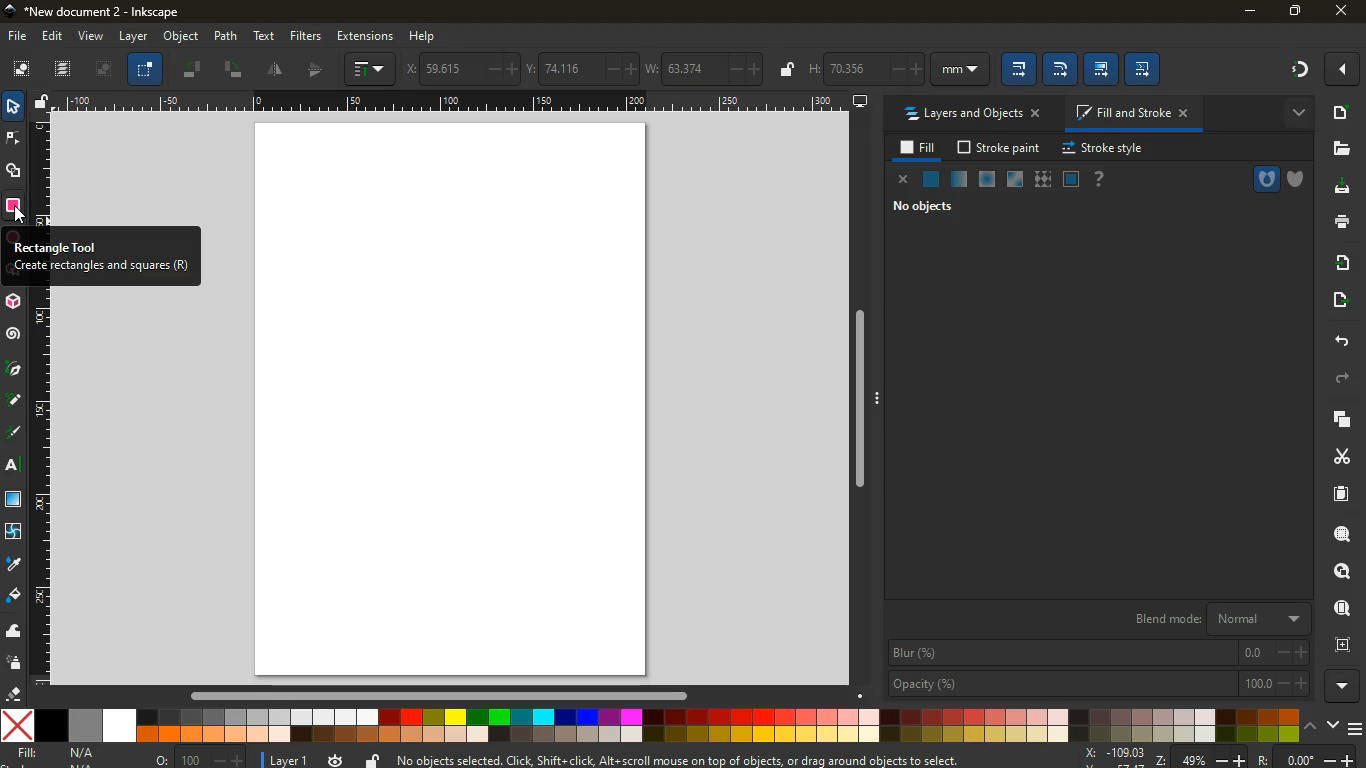 This screenshot has height=768, width=1366. Describe the element at coordinates (1131, 113) in the screenshot. I see `fill and stroke` at that location.